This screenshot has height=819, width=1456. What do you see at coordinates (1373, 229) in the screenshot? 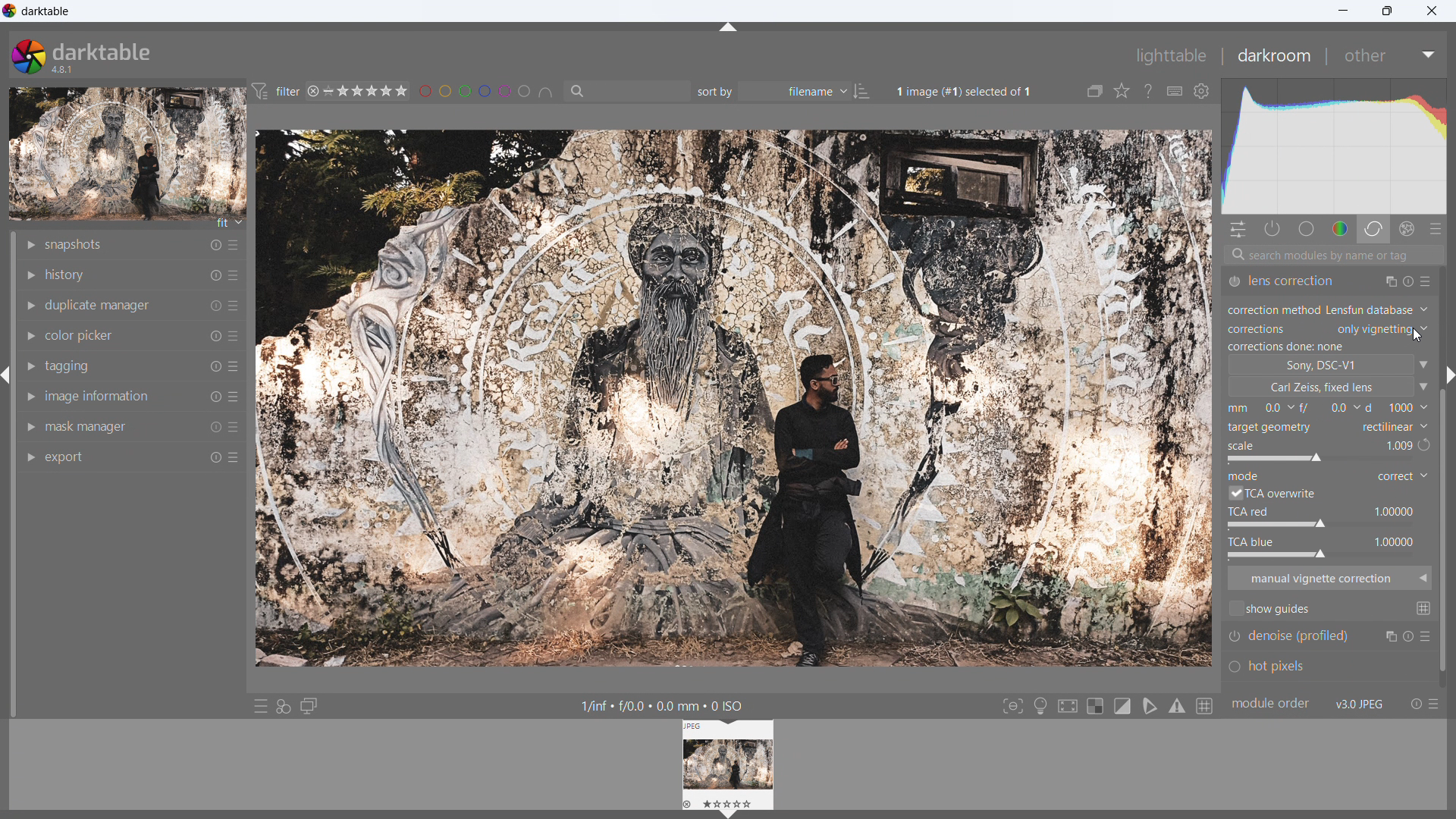
I see `correct` at bounding box center [1373, 229].